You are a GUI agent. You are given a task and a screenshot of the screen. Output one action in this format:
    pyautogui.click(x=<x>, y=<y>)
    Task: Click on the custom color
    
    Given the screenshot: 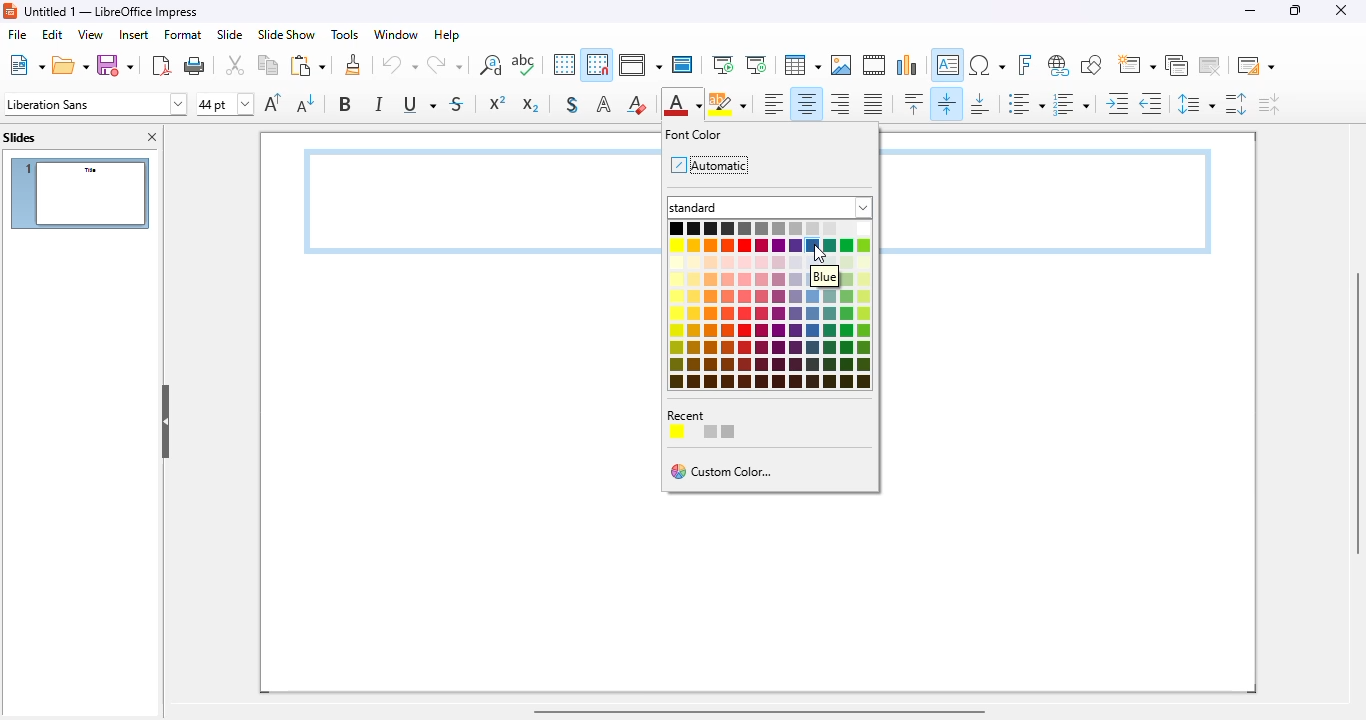 What is the action you would take?
    pyautogui.click(x=724, y=472)
    